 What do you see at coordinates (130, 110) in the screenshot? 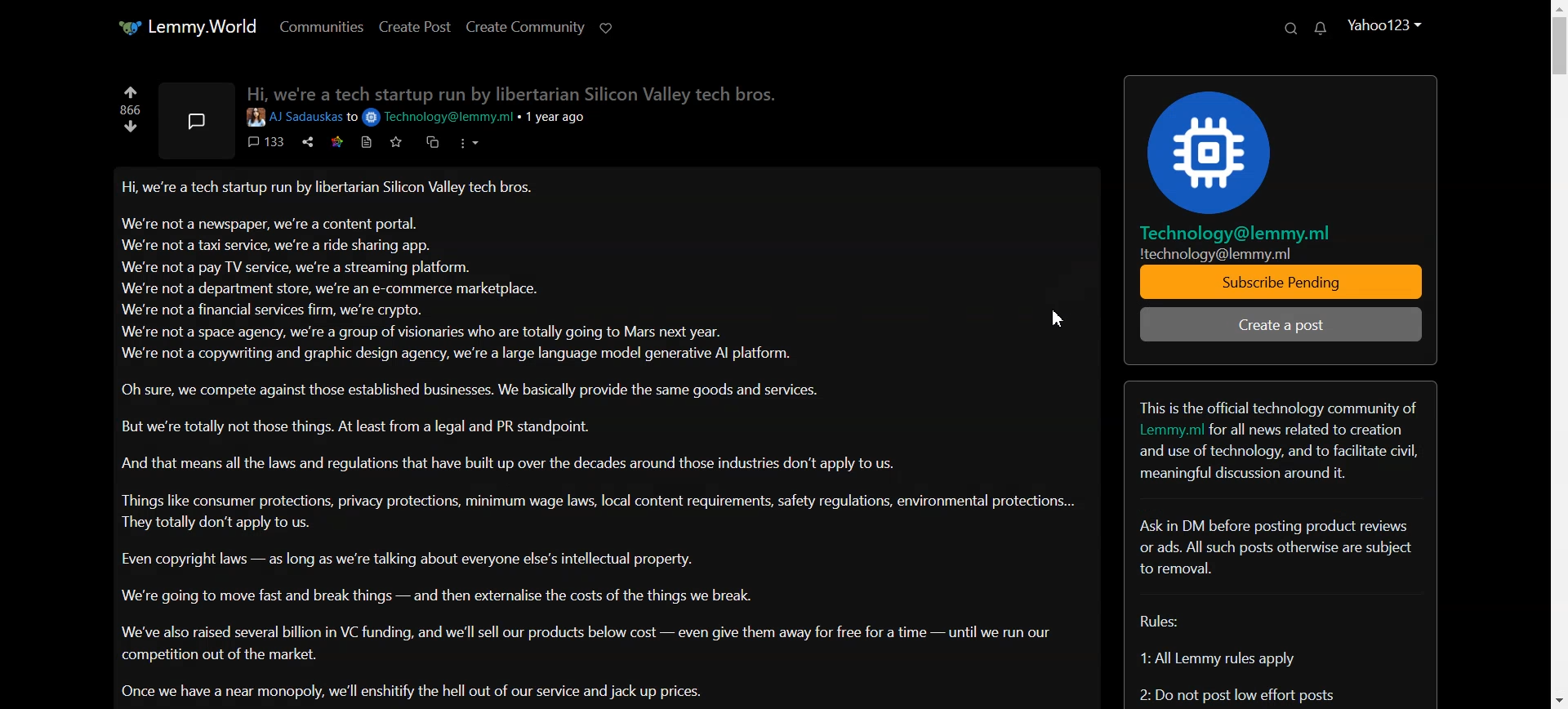
I see `866` at bounding box center [130, 110].